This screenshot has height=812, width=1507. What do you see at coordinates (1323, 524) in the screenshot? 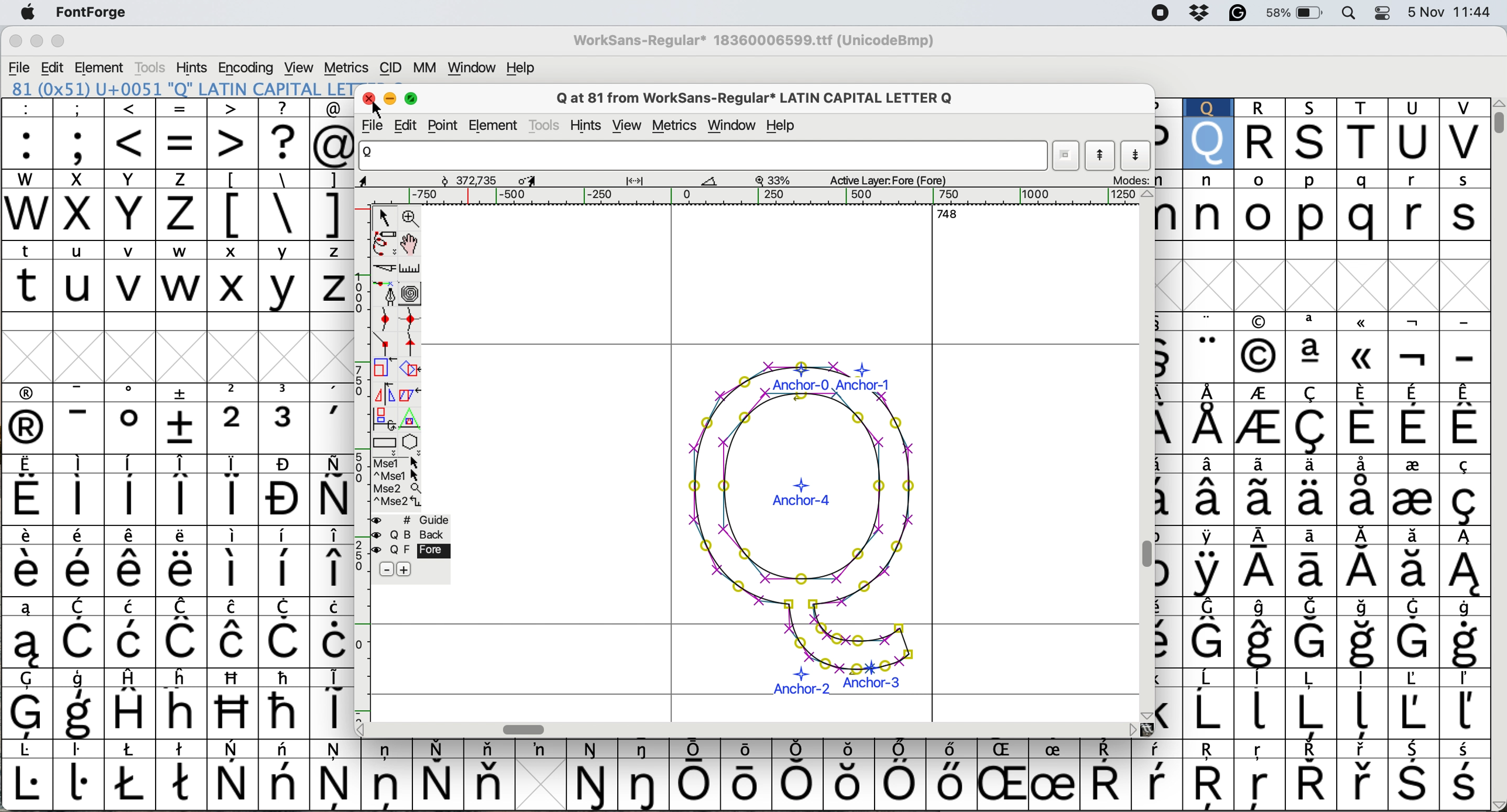
I see `special characters` at bounding box center [1323, 524].